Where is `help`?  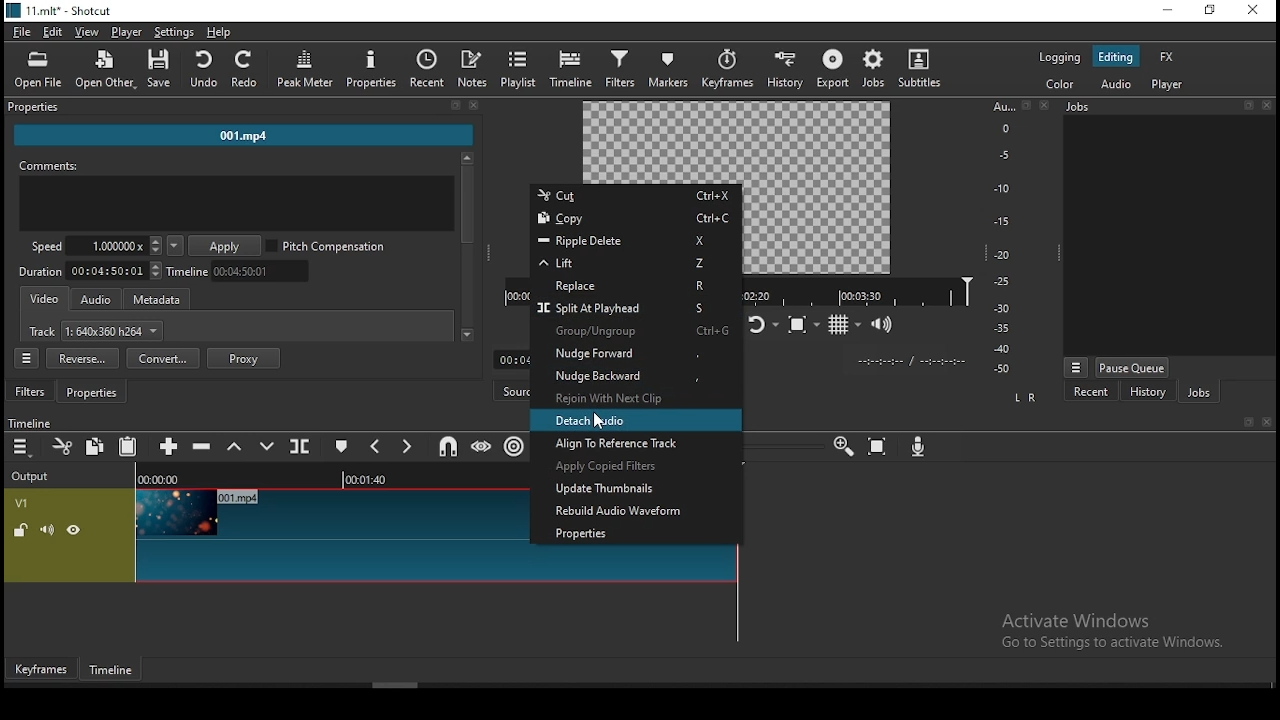 help is located at coordinates (220, 32).